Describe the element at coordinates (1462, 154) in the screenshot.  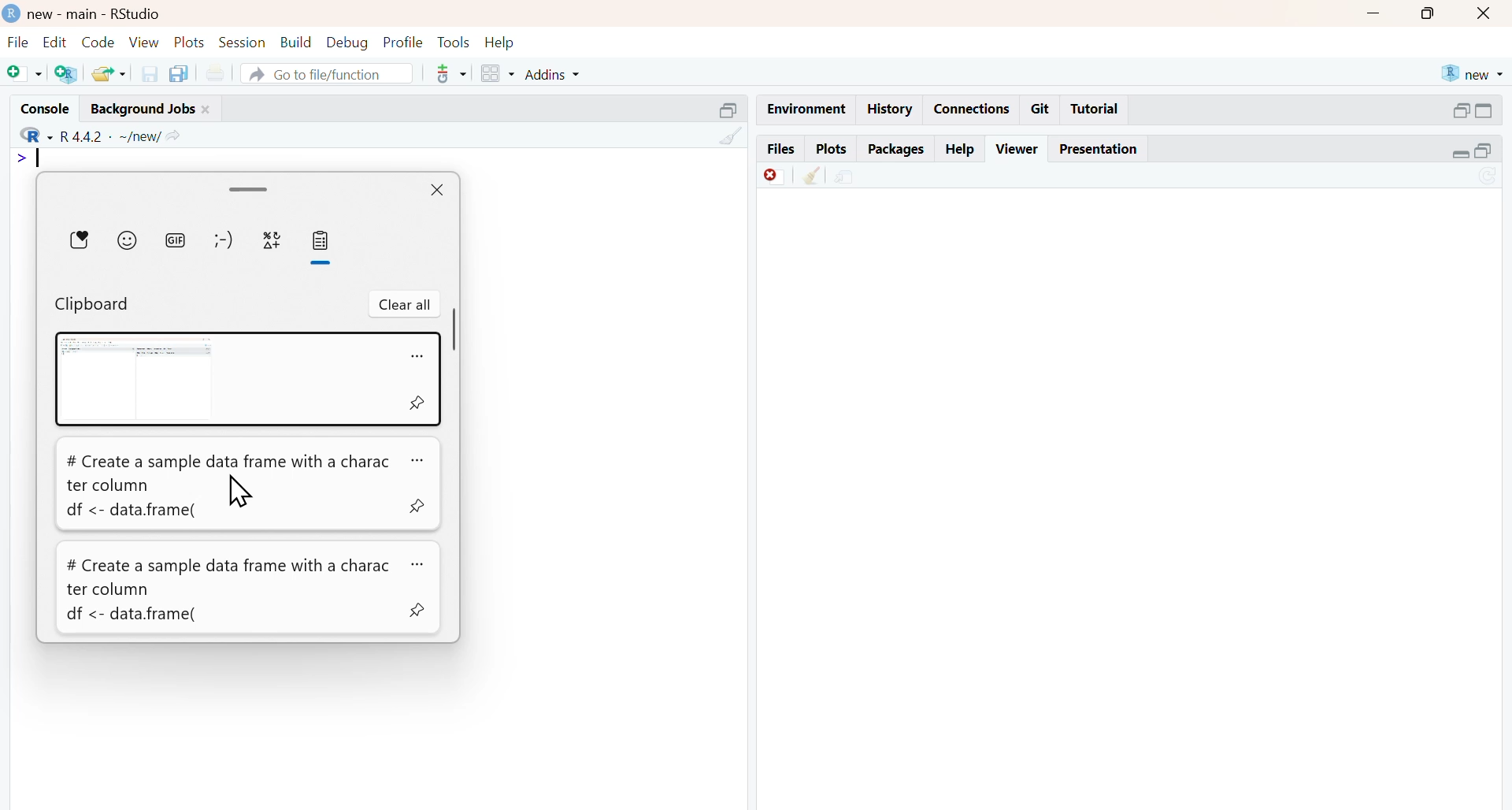
I see `expand/collapse` at that location.